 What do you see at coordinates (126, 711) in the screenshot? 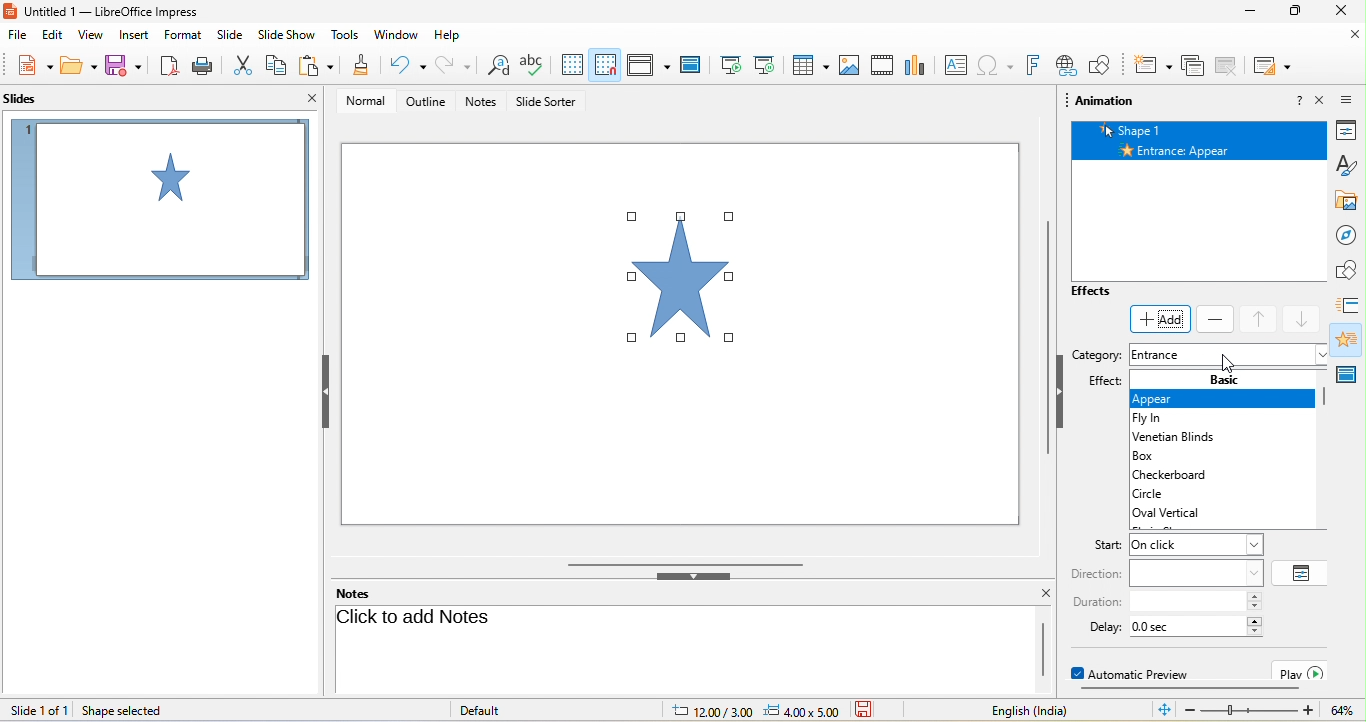
I see `shape selected` at bounding box center [126, 711].